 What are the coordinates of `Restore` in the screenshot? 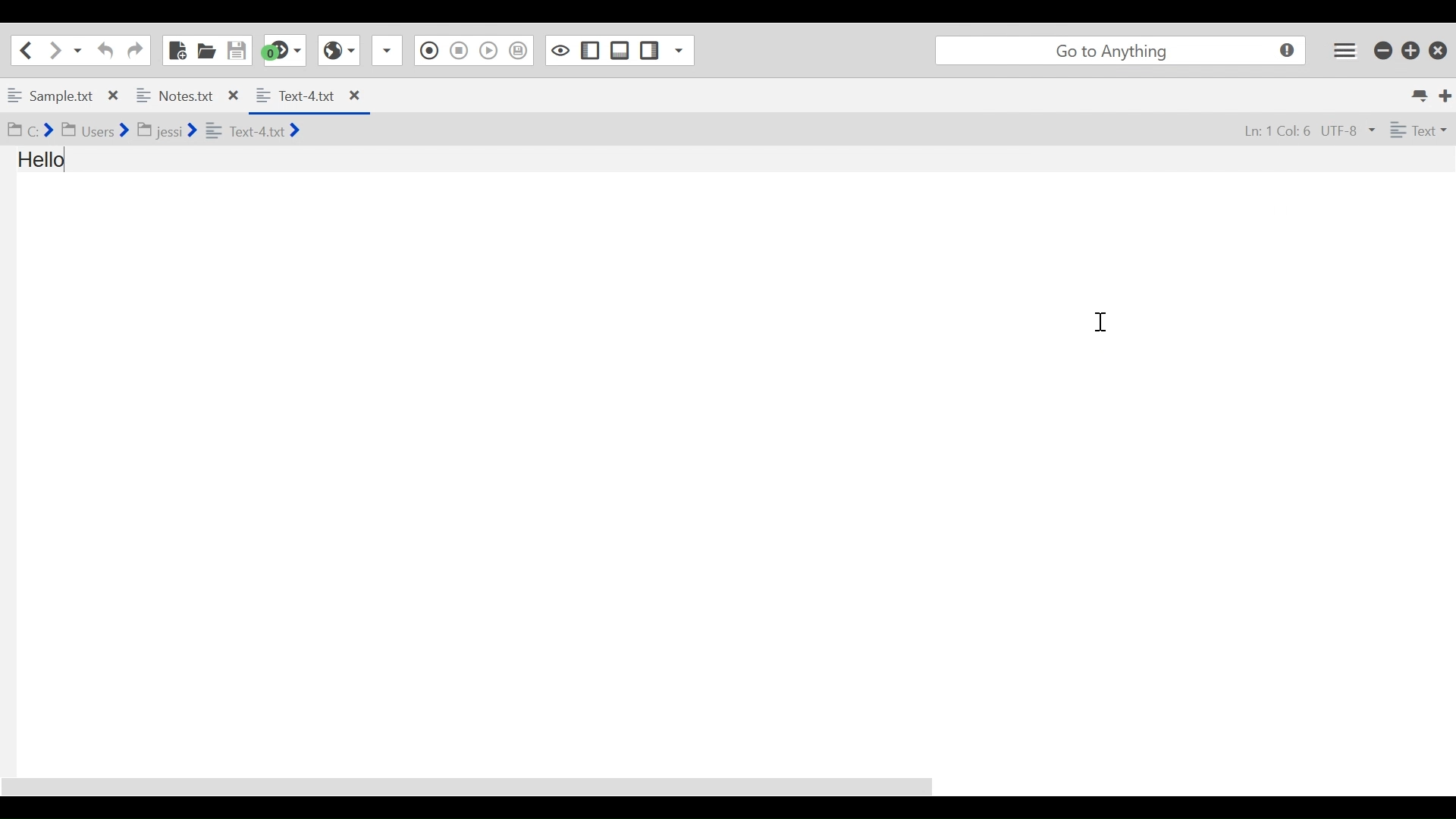 It's located at (1411, 50).